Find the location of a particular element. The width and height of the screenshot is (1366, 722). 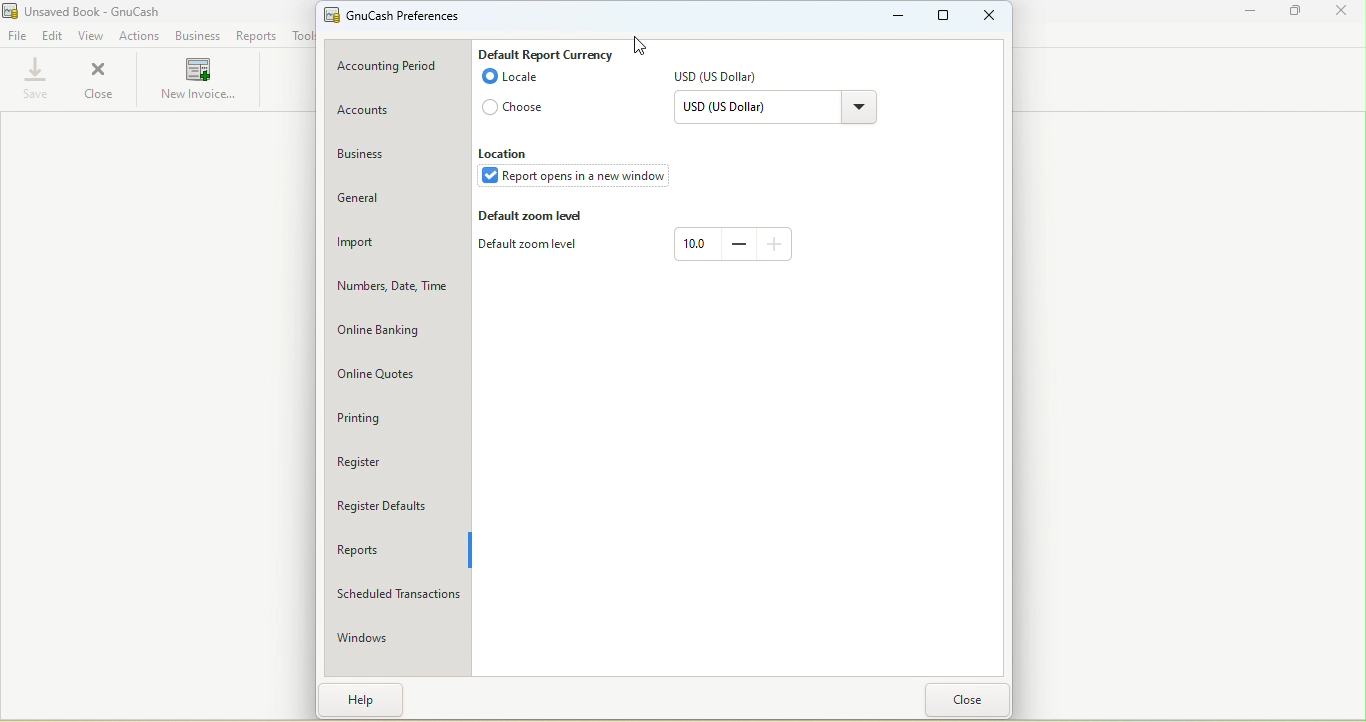

View is located at coordinates (92, 36).